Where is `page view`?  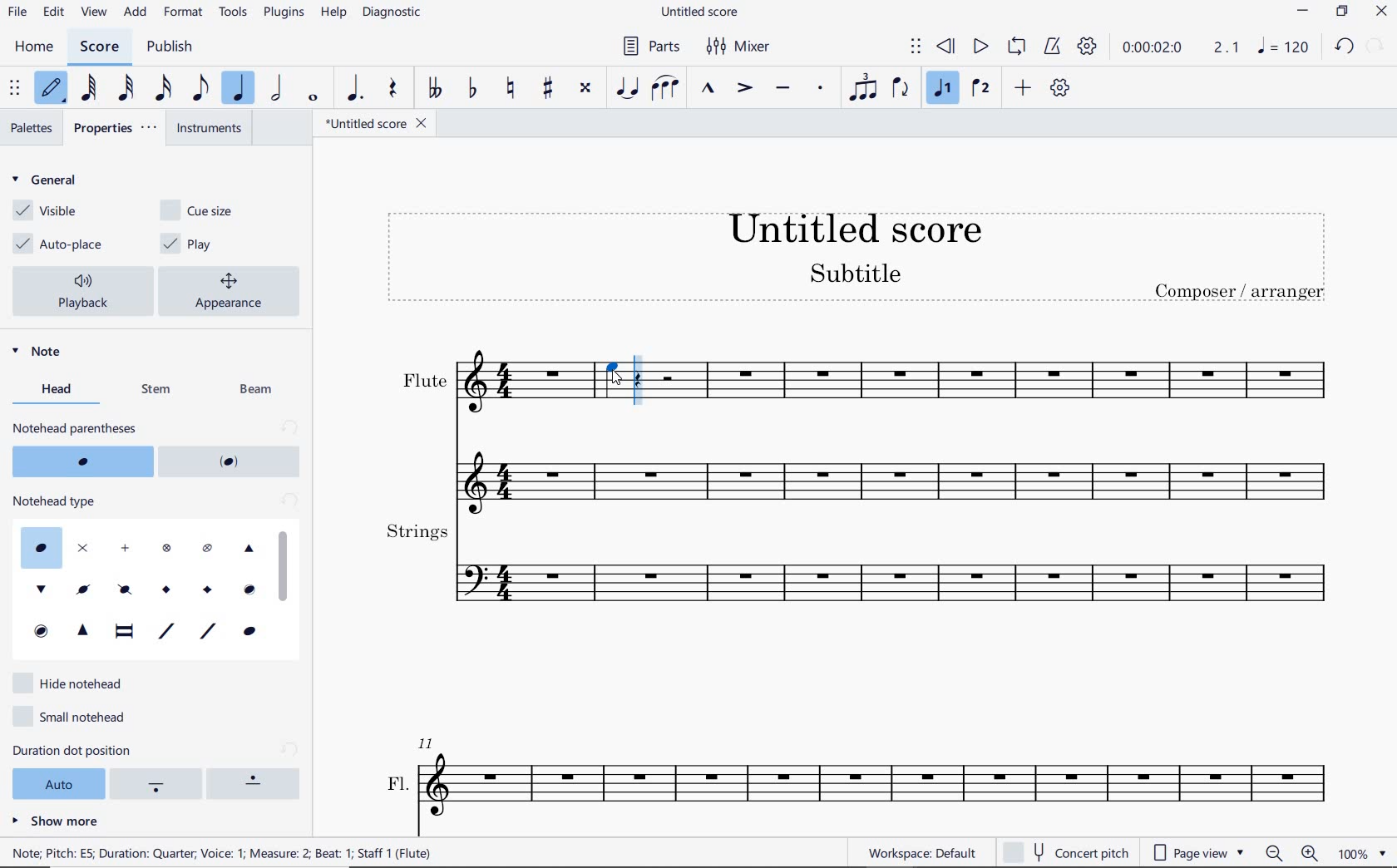
page view is located at coordinates (1197, 851).